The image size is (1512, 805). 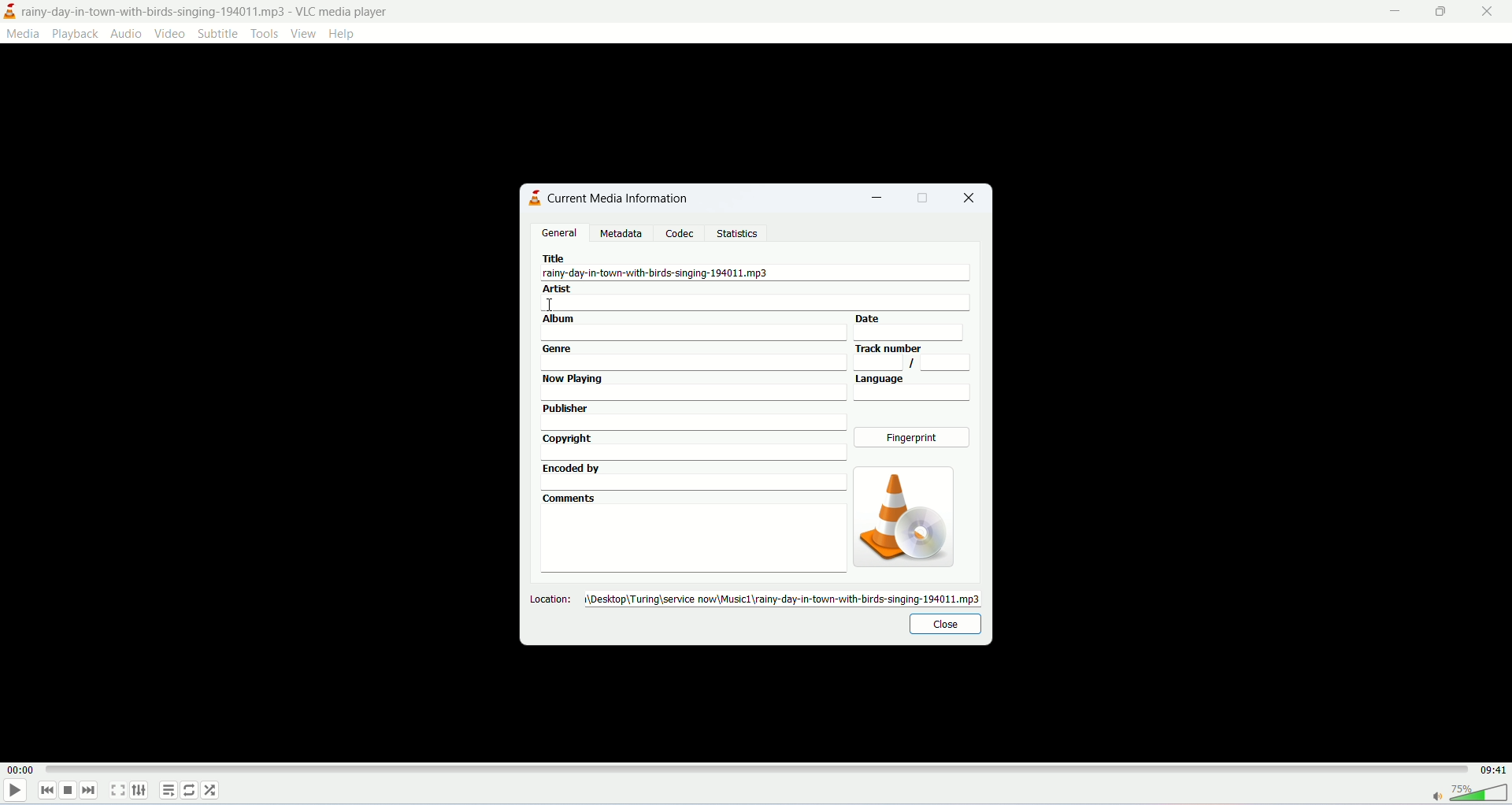 What do you see at coordinates (217, 34) in the screenshot?
I see `subtitle` at bounding box center [217, 34].